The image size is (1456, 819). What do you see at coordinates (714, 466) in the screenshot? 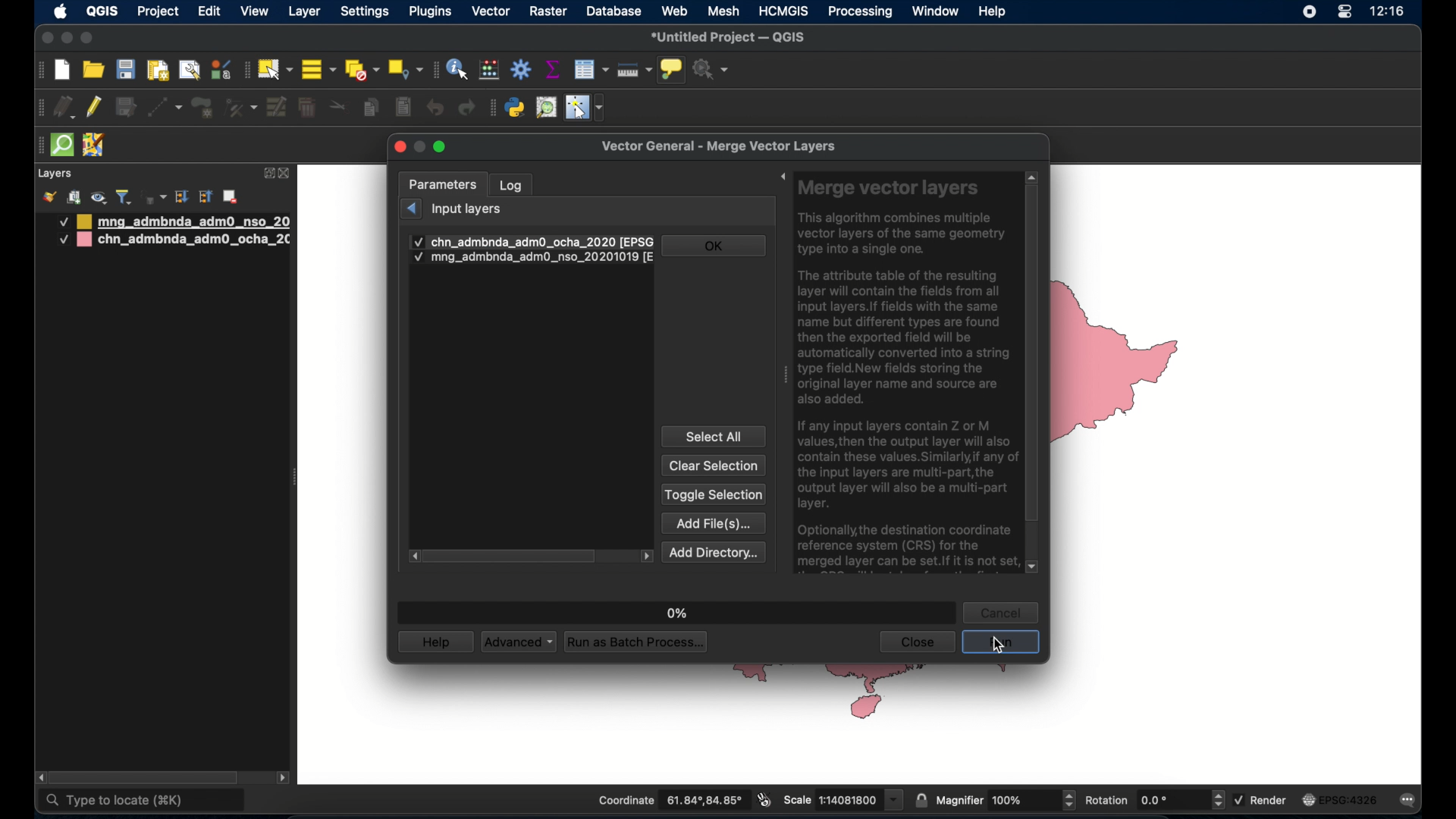
I see `clear selection` at bounding box center [714, 466].